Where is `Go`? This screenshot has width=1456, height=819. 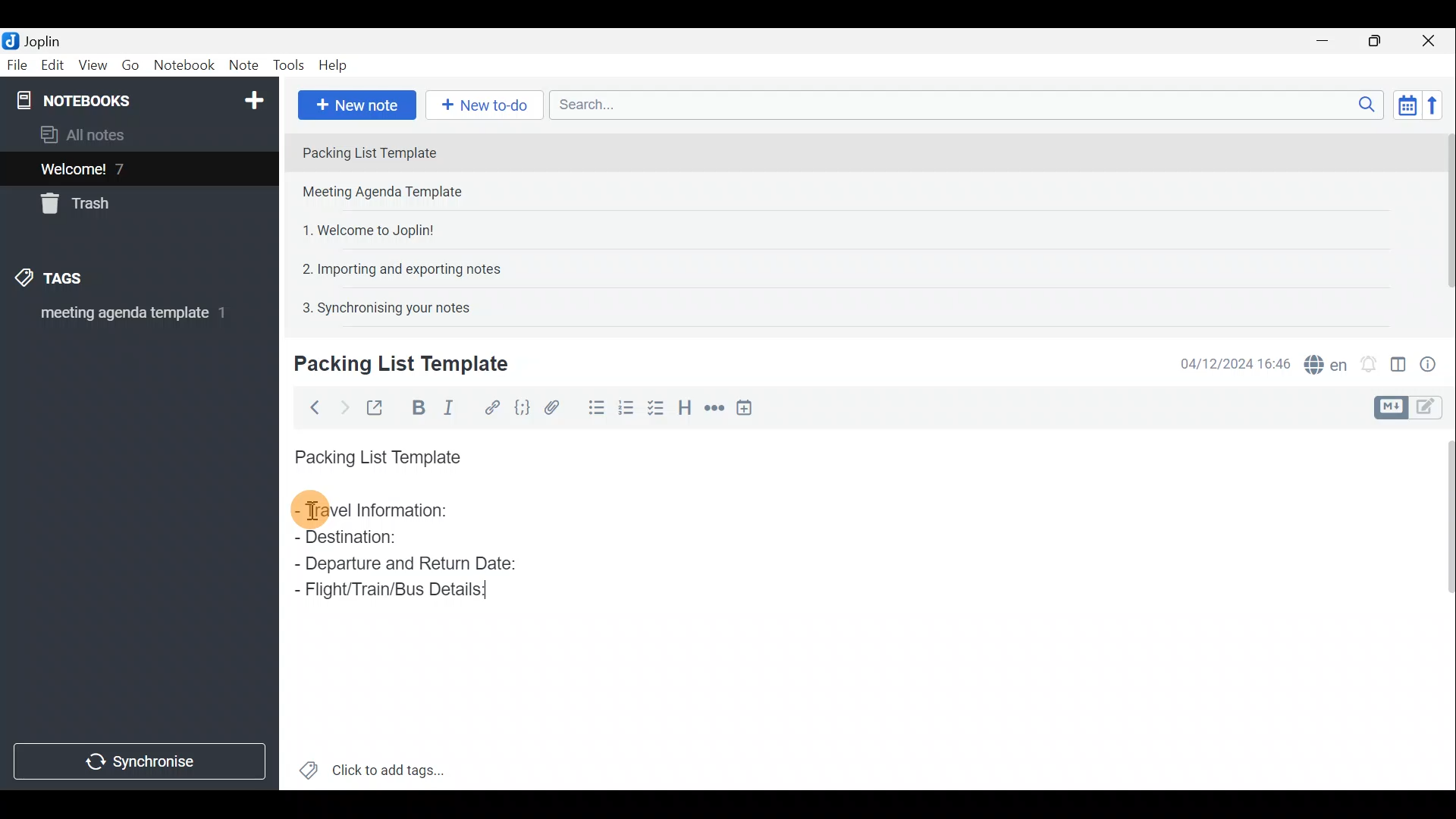 Go is located at coordinates (131, 65).